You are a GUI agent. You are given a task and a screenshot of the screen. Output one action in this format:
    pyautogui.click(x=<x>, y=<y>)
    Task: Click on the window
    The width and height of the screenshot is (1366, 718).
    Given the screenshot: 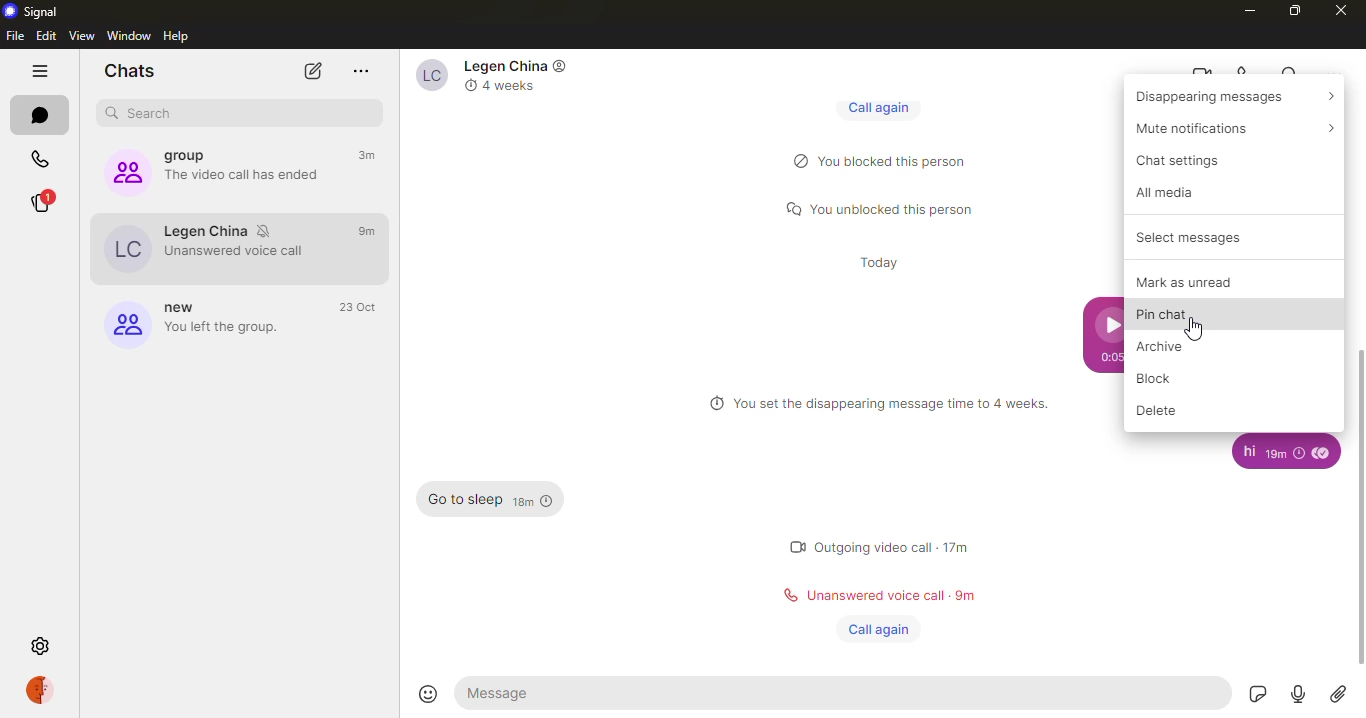 What is the action you would take?
    pyautogui.click(x=130, y=35)
    